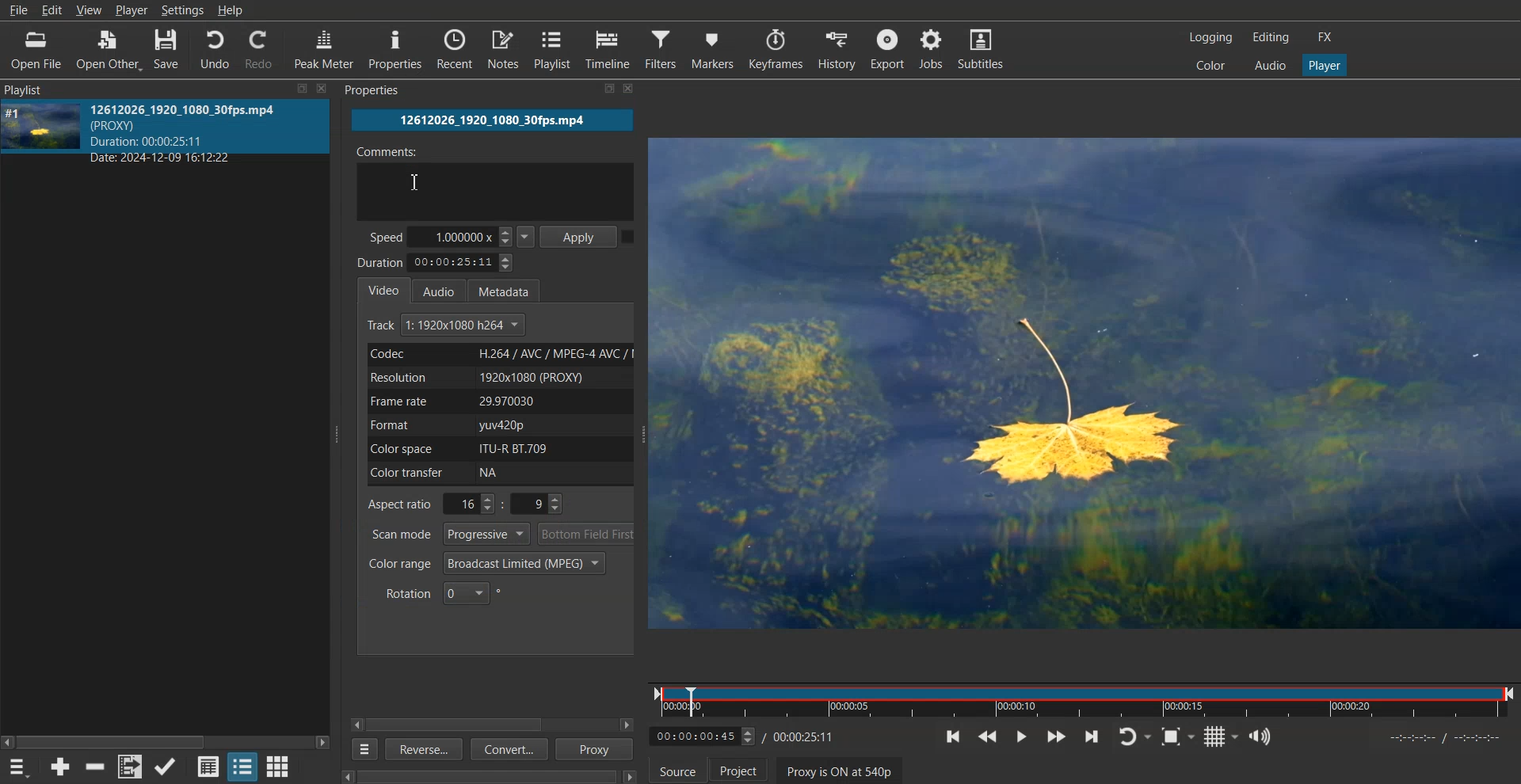 The height and width of the screenshot is (784, 1521). I want to click on Bottom field First, so click(587, 534).